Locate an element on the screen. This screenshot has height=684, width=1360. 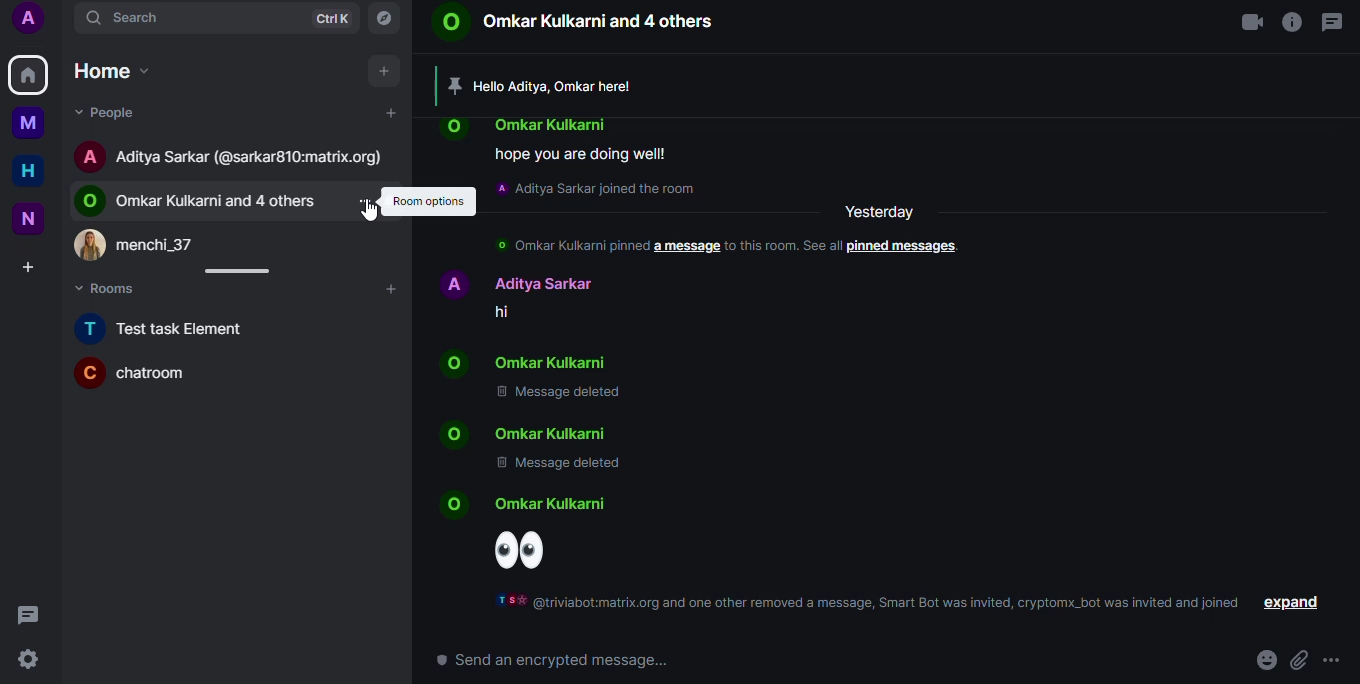
emoji is located at coordinates (520, 551).